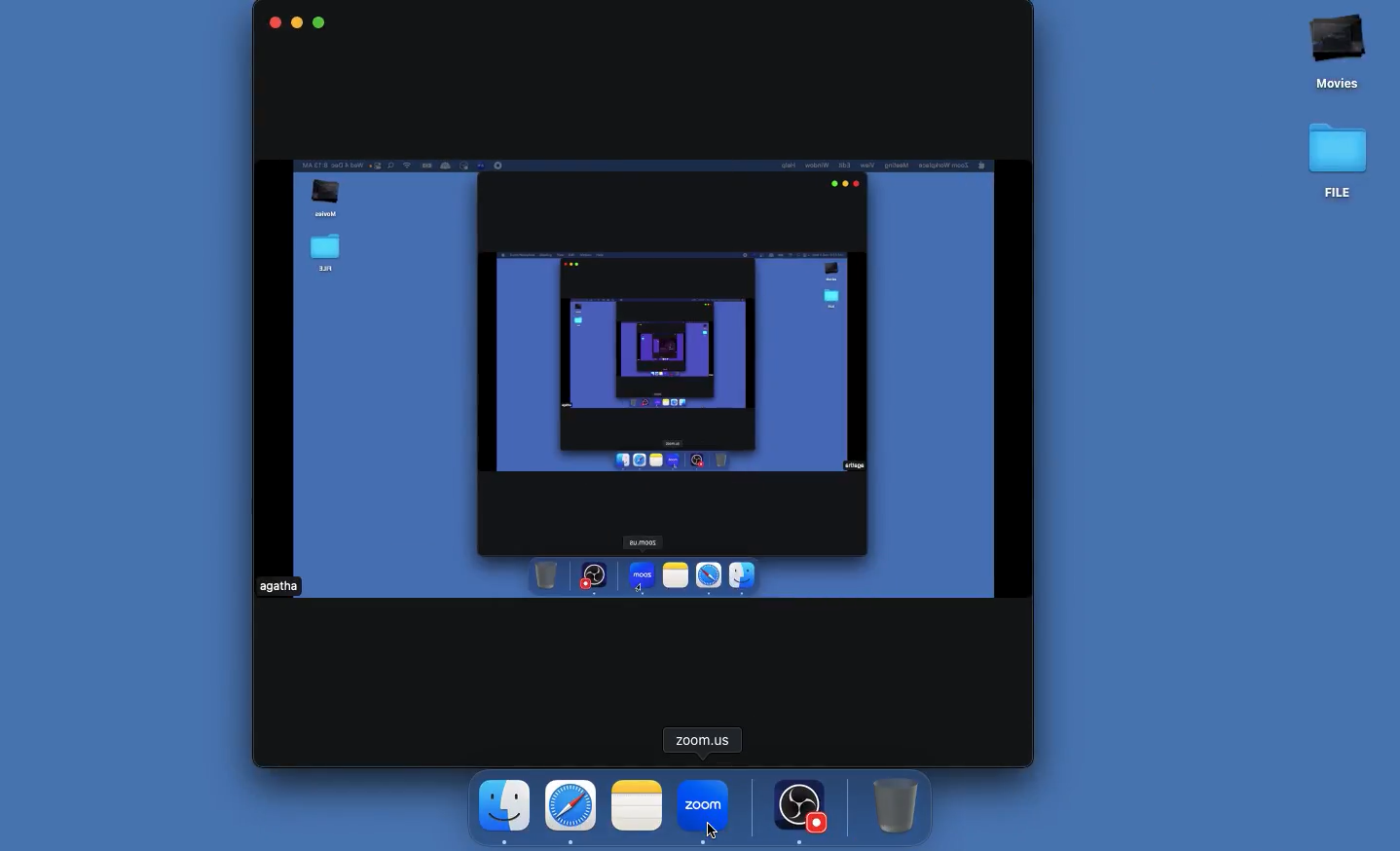  I want to click on minimse, so click(294, 16).